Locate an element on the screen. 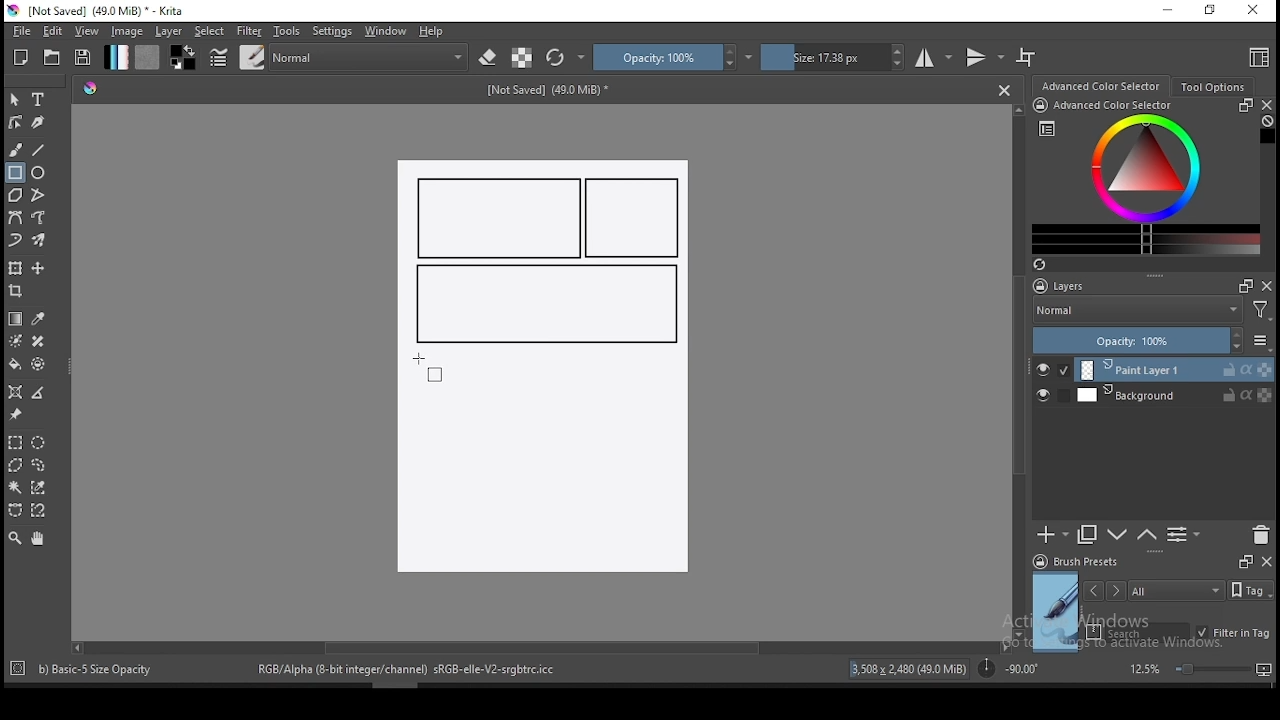 The width and height of the screenshot is (1280, 720). brush settings is located at coordinates (217, 57).